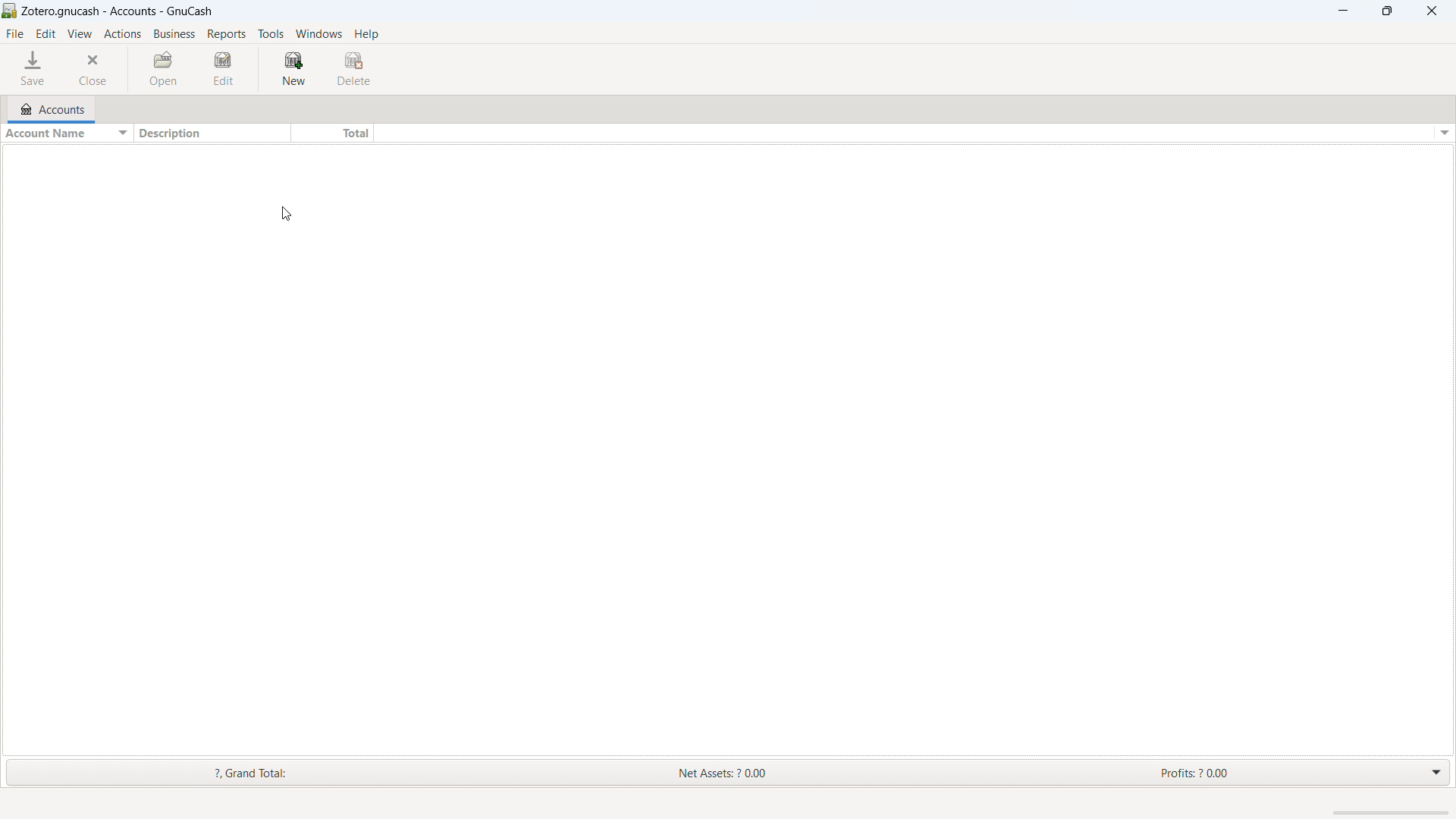 The image size is (1456, 819). Describe the element at coordinates (122, 35) in the screenshot. I see `actions` at that location.